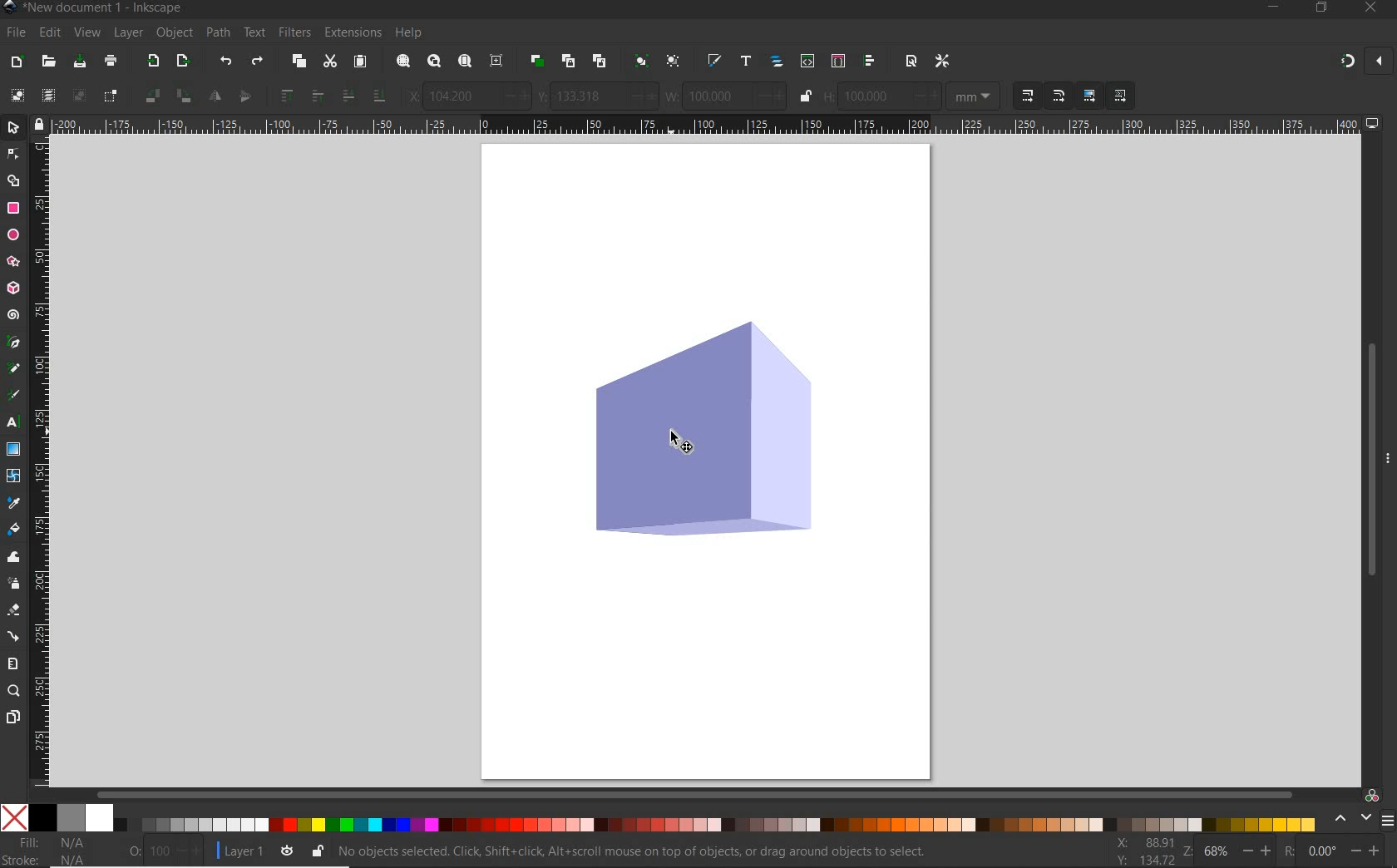  Describe the element at coordinates (351, 33) in the screenshot. I see `EXTENSIONS` at that location.